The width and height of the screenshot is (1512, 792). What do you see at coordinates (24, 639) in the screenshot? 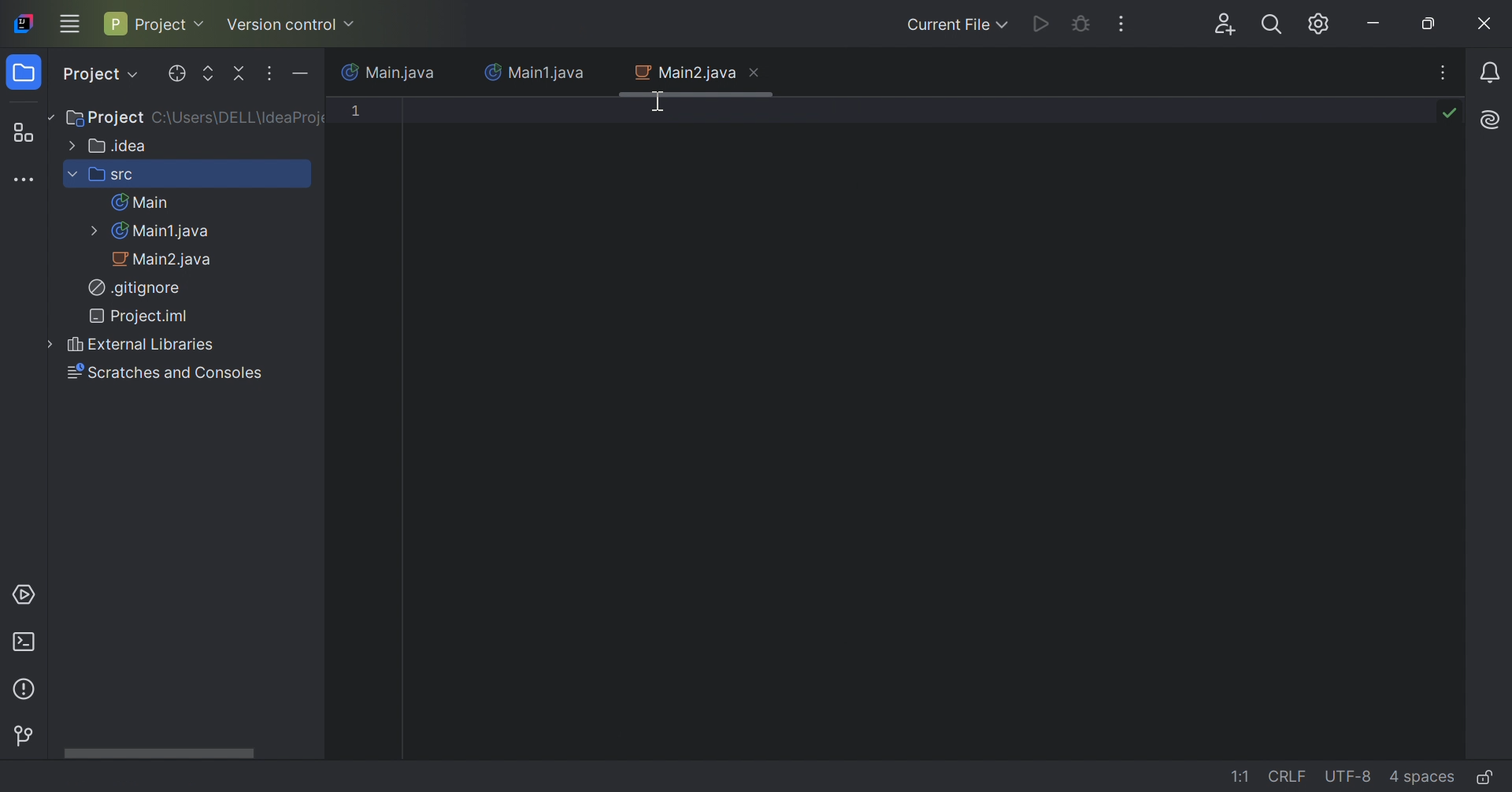
I see `Terminal` at bounding box center [24, 639].